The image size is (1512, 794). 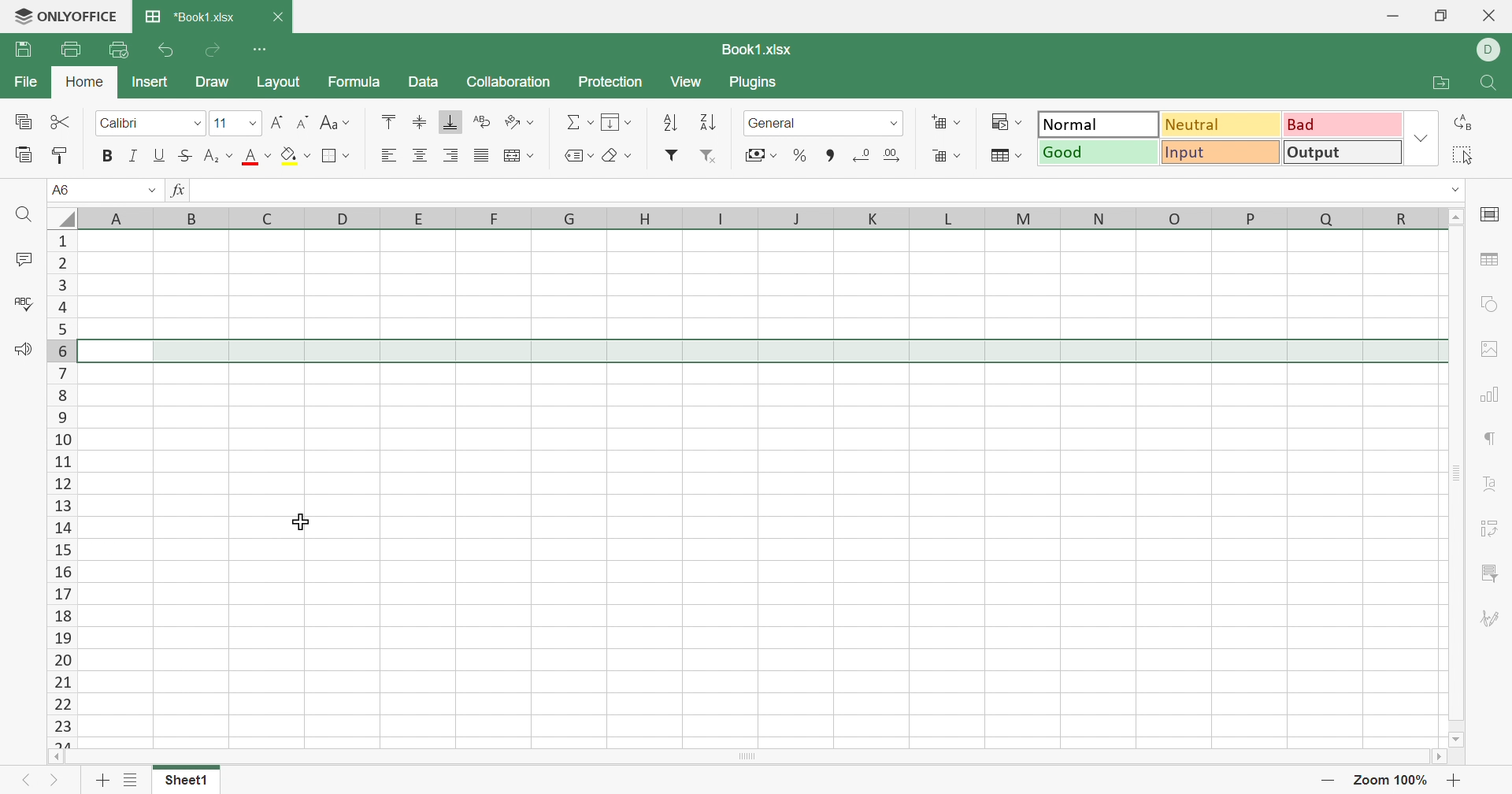 What do you see at coordinates (64, 124) in the screenshot?
I see `Cut` at bounding box center [64, 124].